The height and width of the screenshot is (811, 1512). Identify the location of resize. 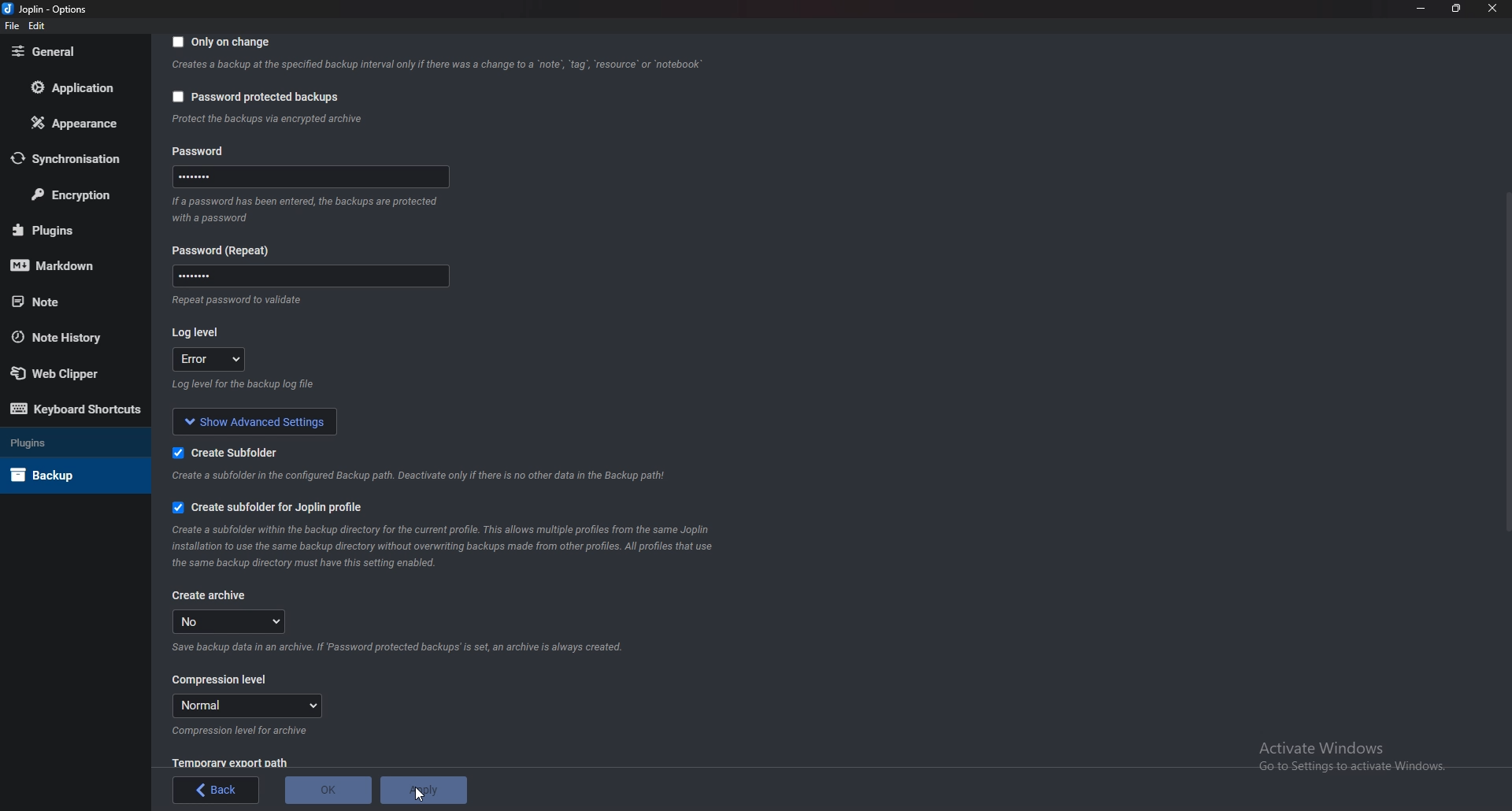
(1458, 8).